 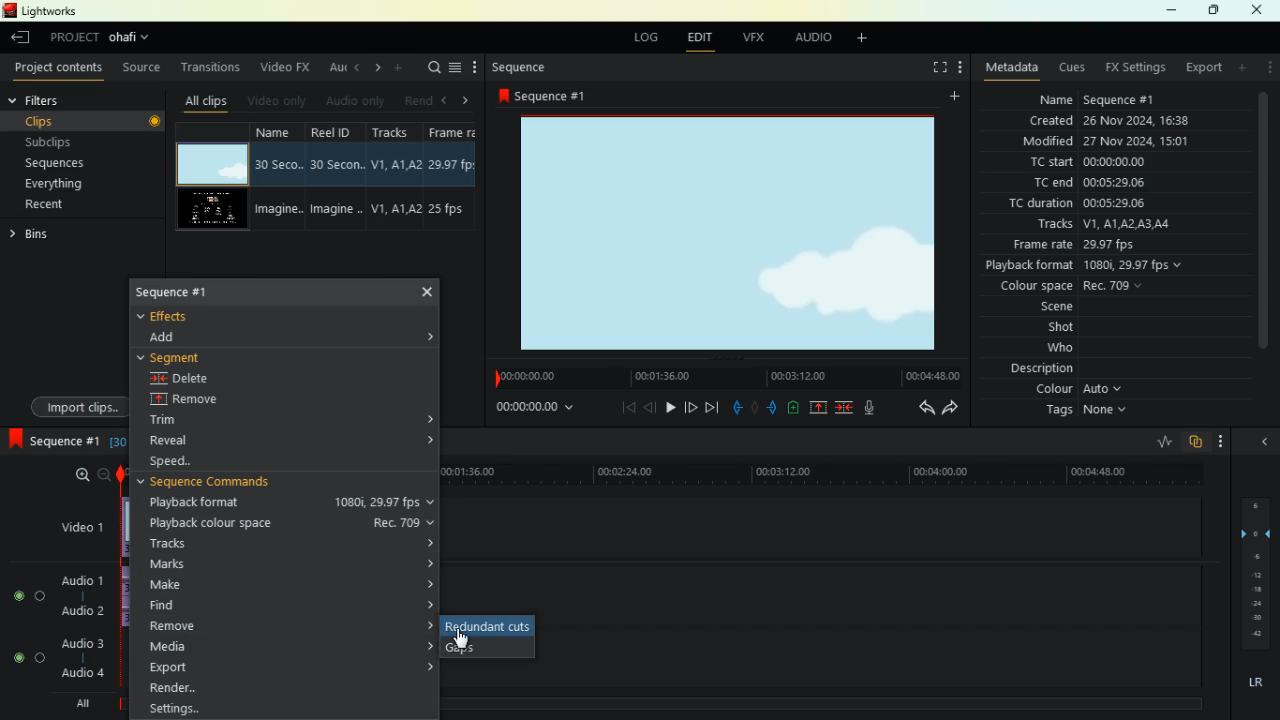 What do you see at coordinates (282, 710) in the screenshot?
I see `settings` at bounding box center [282, 710].